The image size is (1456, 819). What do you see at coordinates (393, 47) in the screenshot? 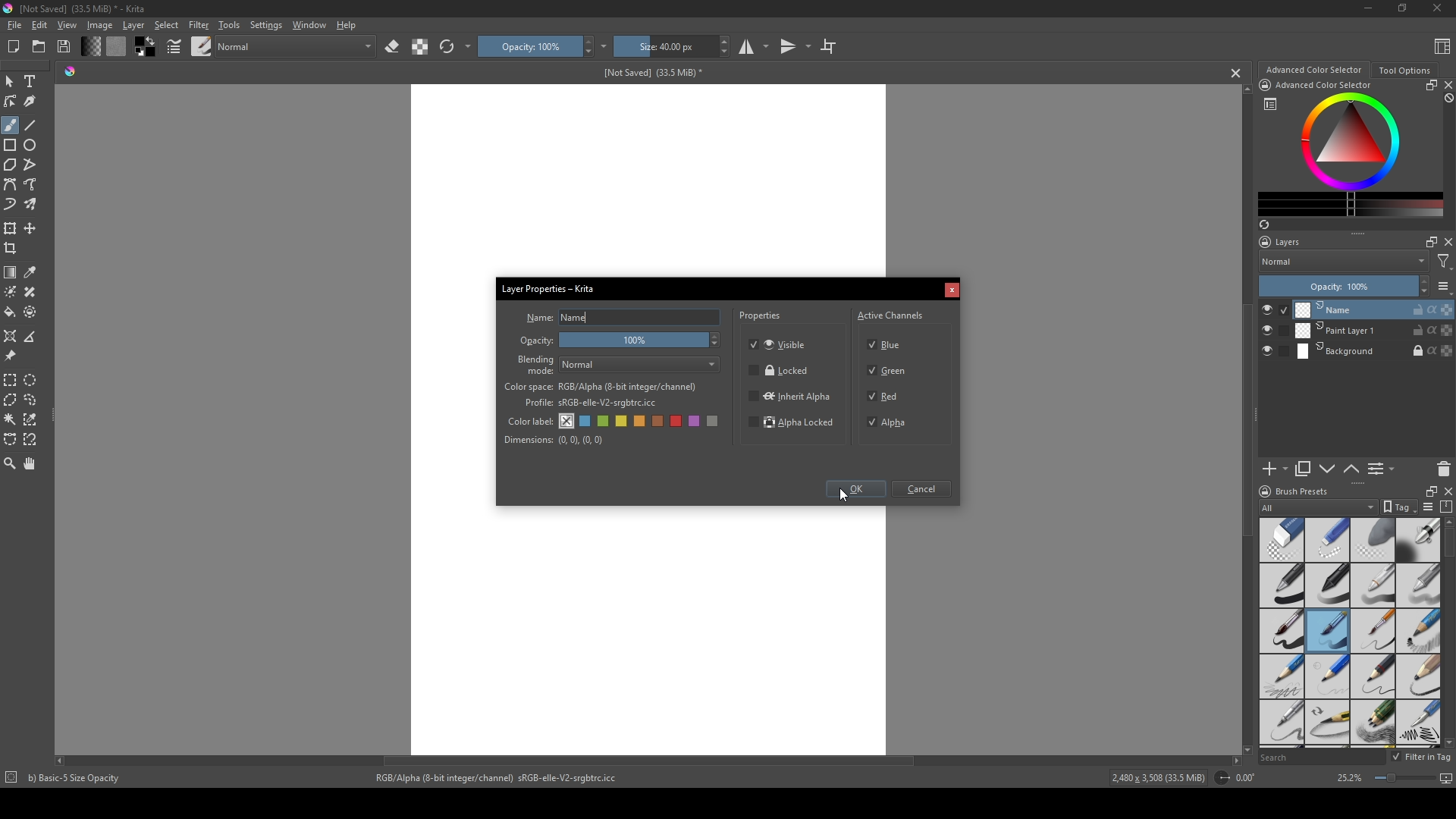
I see `erase` at bounding box center [393, 47].